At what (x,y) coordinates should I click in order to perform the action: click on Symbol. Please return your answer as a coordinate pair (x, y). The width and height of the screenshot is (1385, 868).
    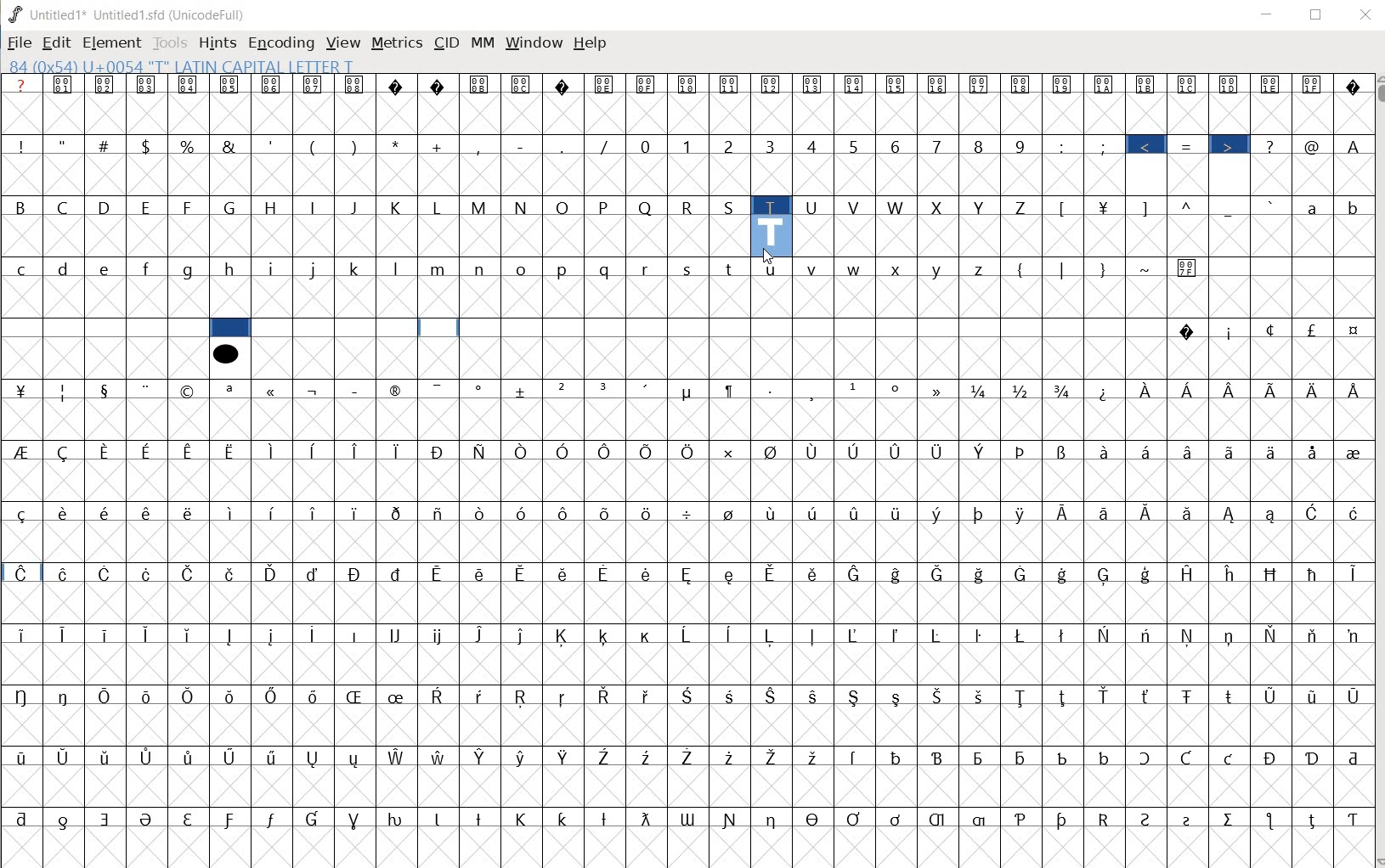
    Looking at the image, I should click on (193, 697).